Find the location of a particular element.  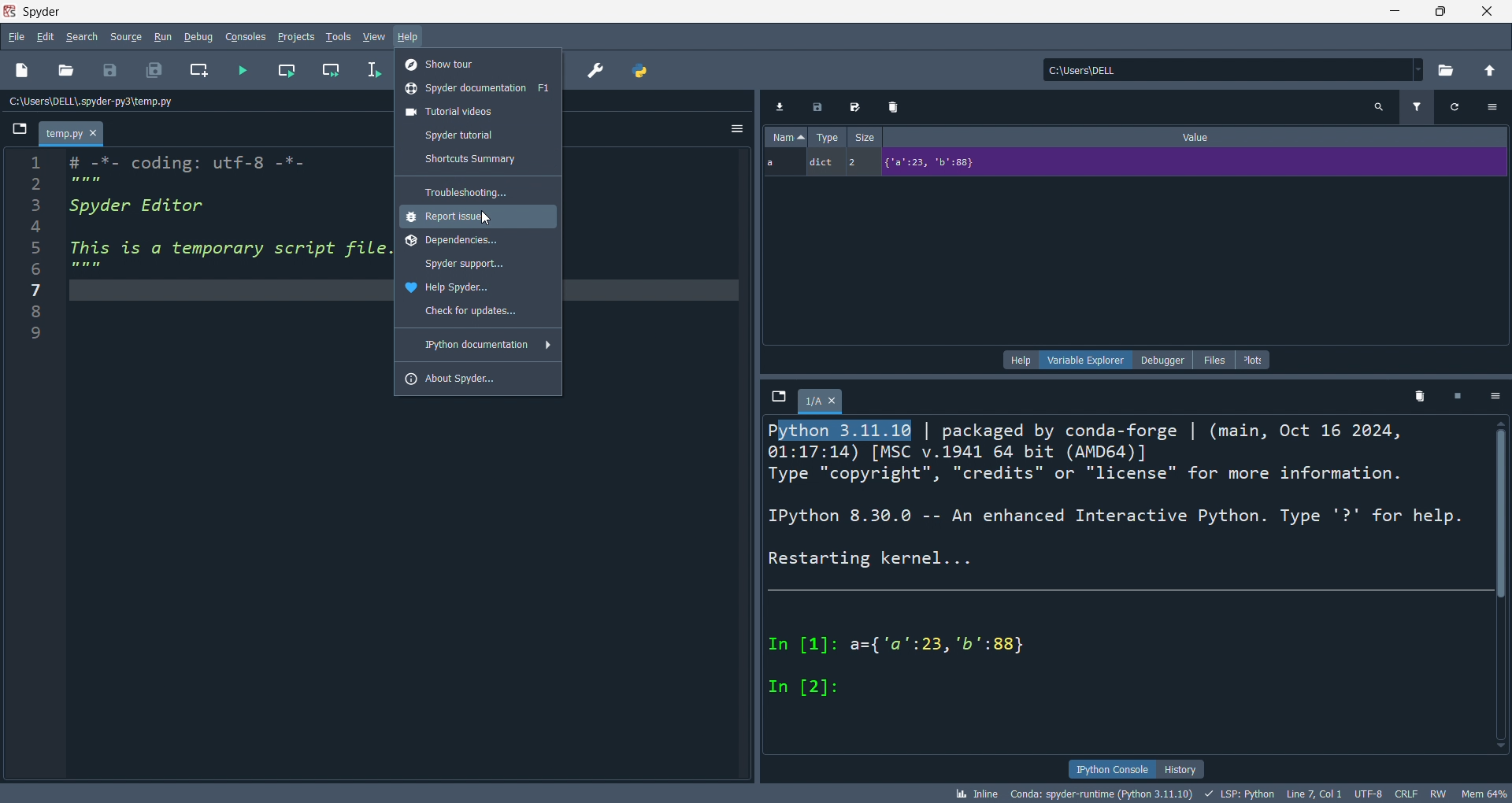

File is located at coordinates (778, 397).